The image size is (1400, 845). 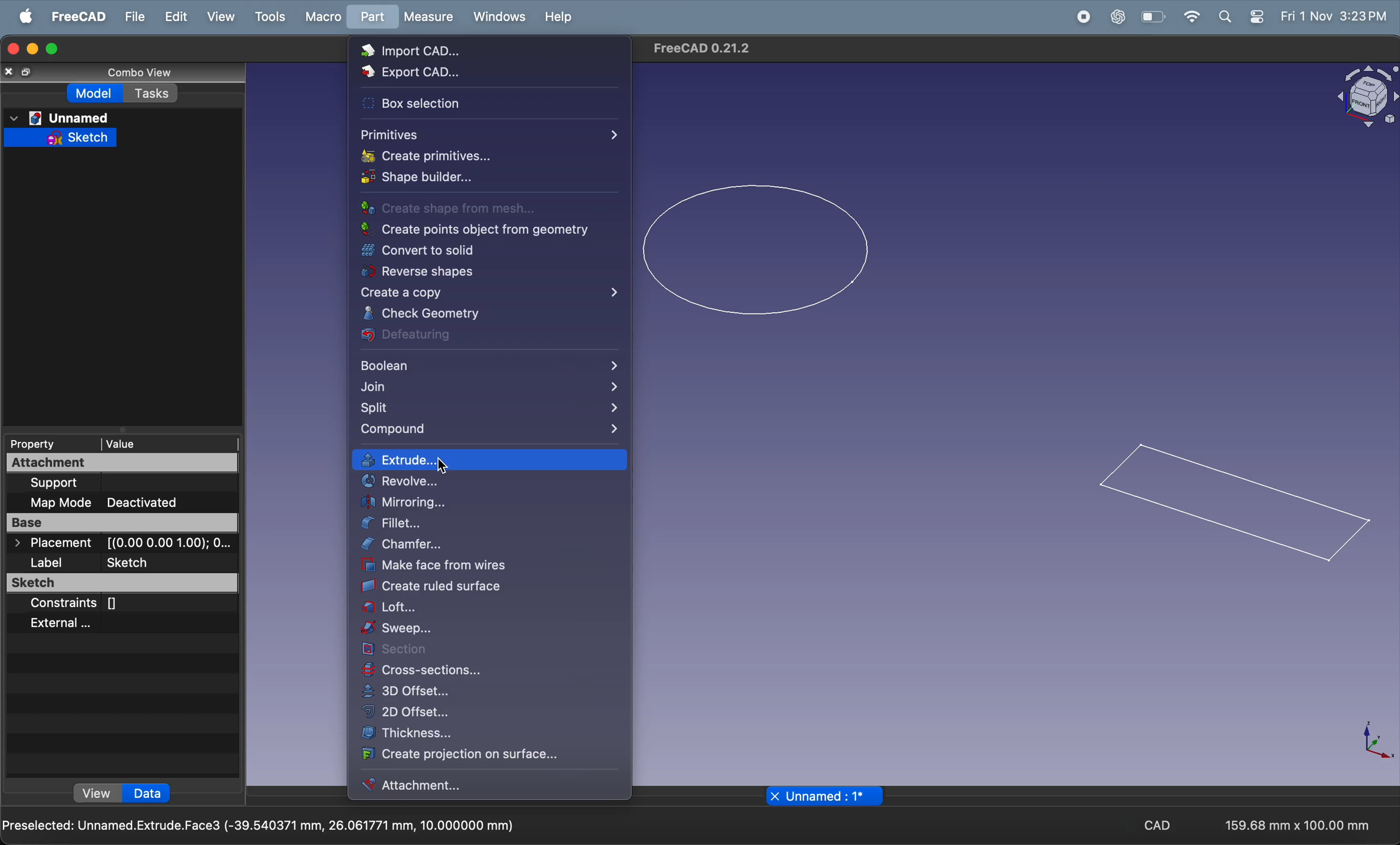 I want to click on Value, so click(x=161, y=445).